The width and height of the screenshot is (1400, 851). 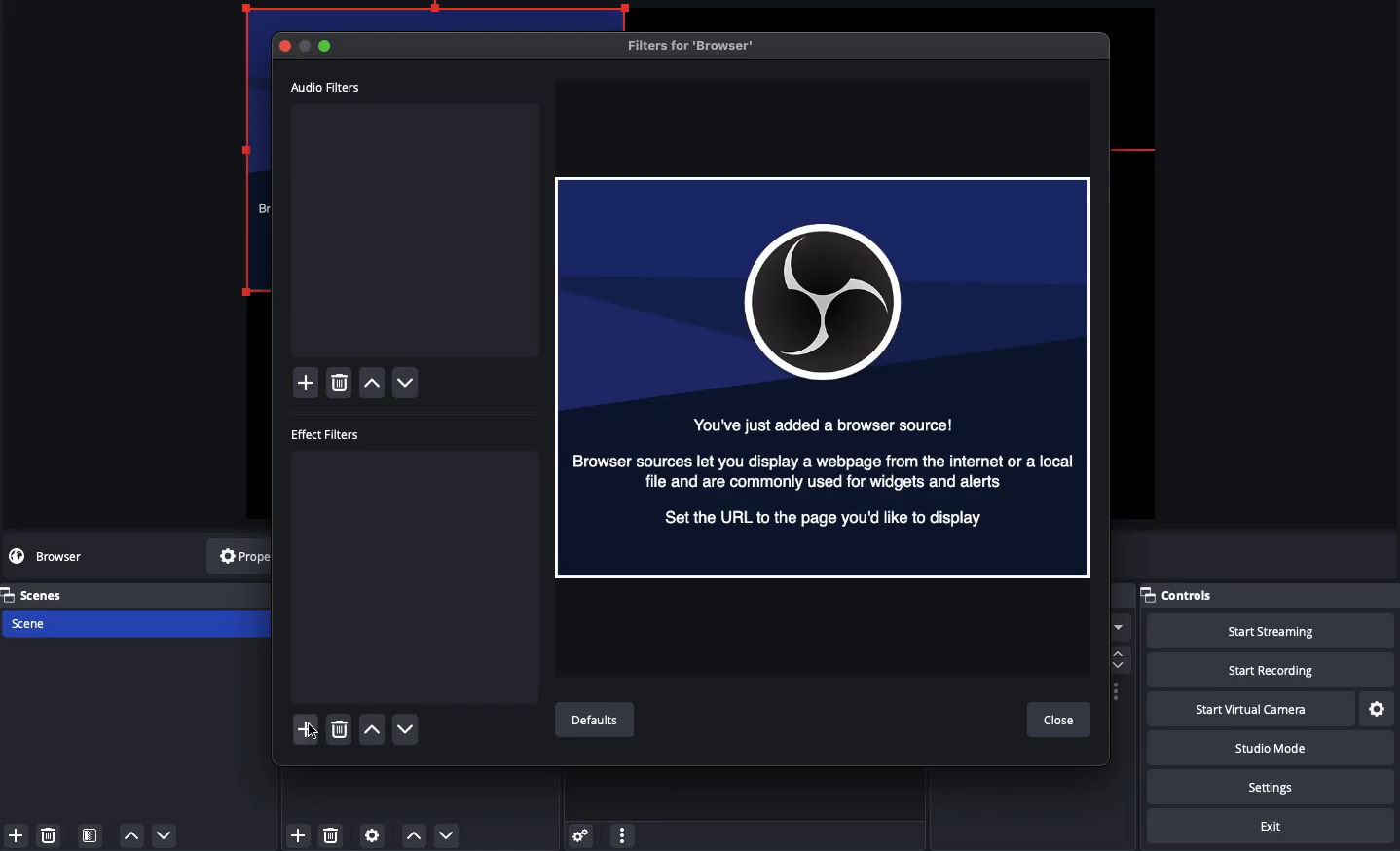 I want to click on Scene, so click(x=40, y=622).